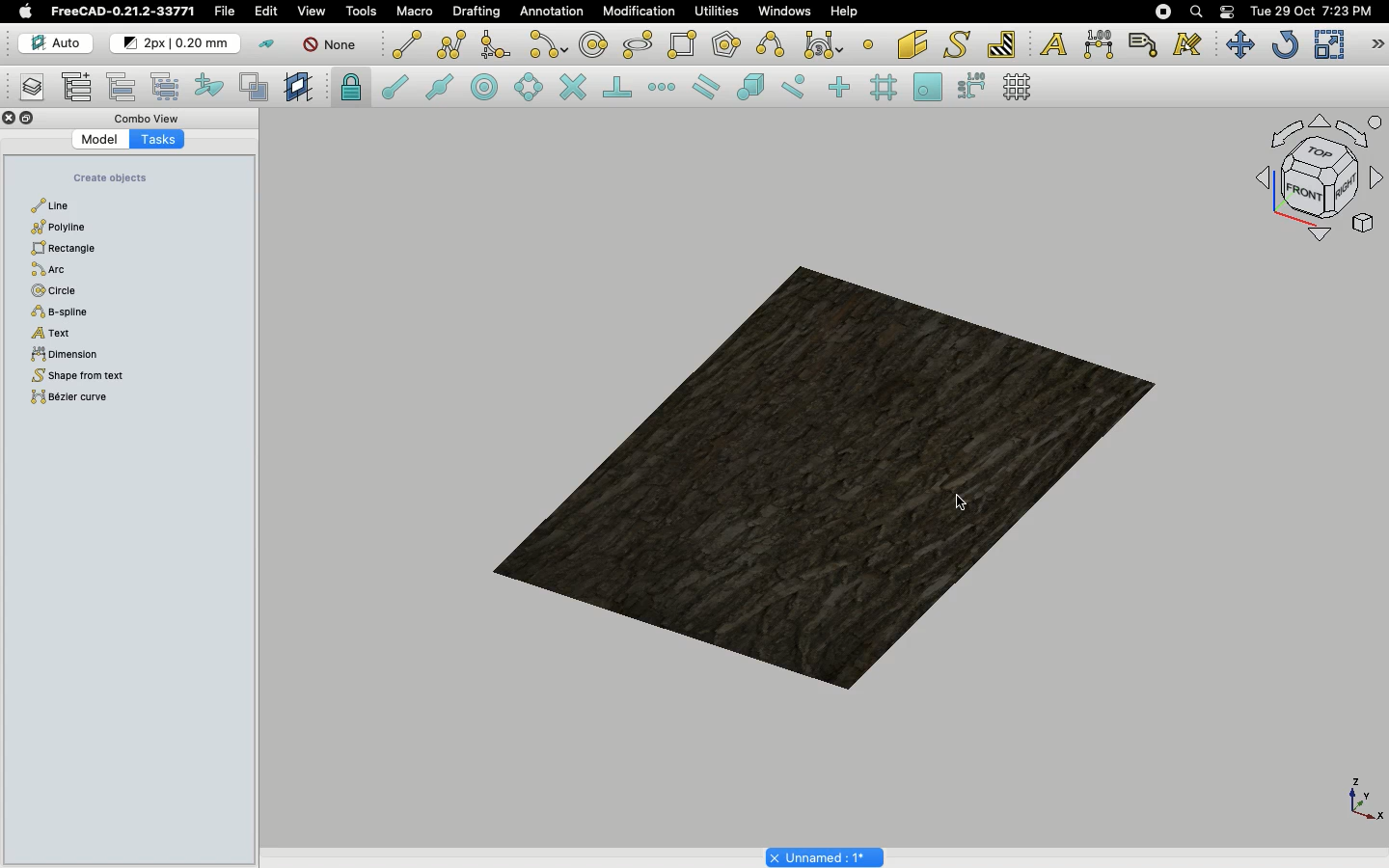  What do you see at coordinates (793, 88) in the screenshot?
I see `Snap near` at bounding box center [793, 88].